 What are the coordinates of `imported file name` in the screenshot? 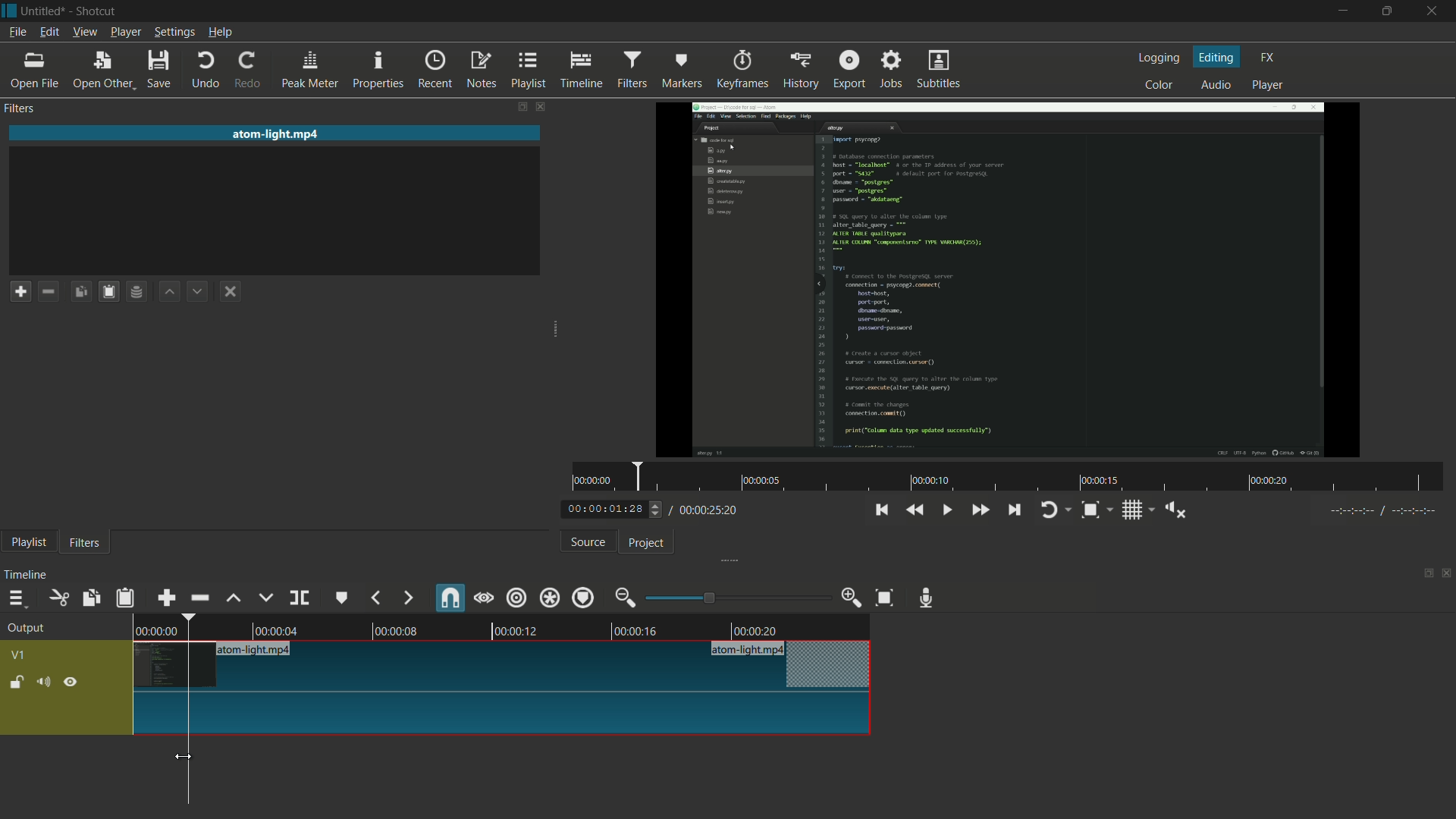 It's located at (277, 133).